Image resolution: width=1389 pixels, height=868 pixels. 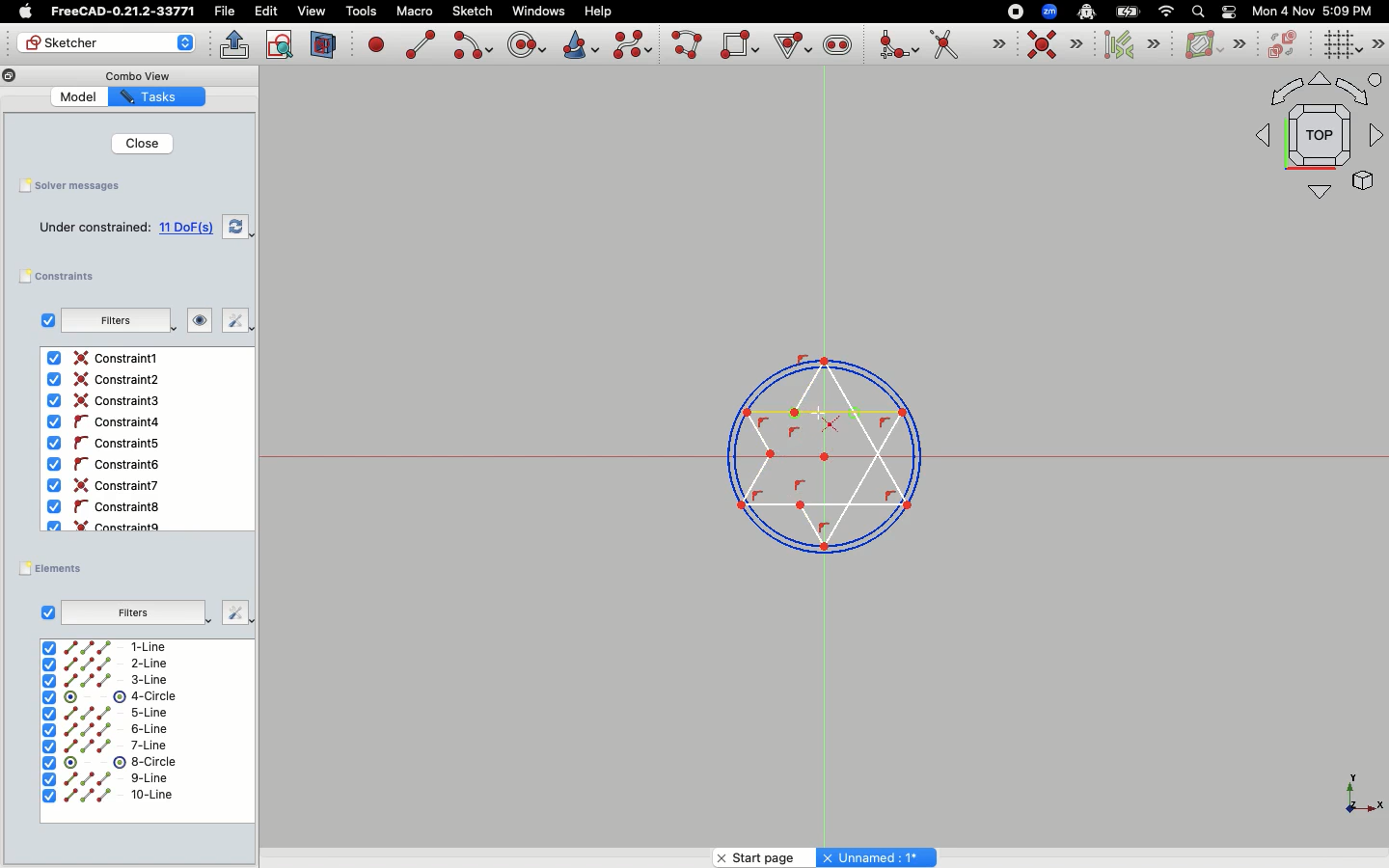 What do you see at coordinates (76, 95) in the screenshot?
I see `Model` at bounding box center [76, 95].